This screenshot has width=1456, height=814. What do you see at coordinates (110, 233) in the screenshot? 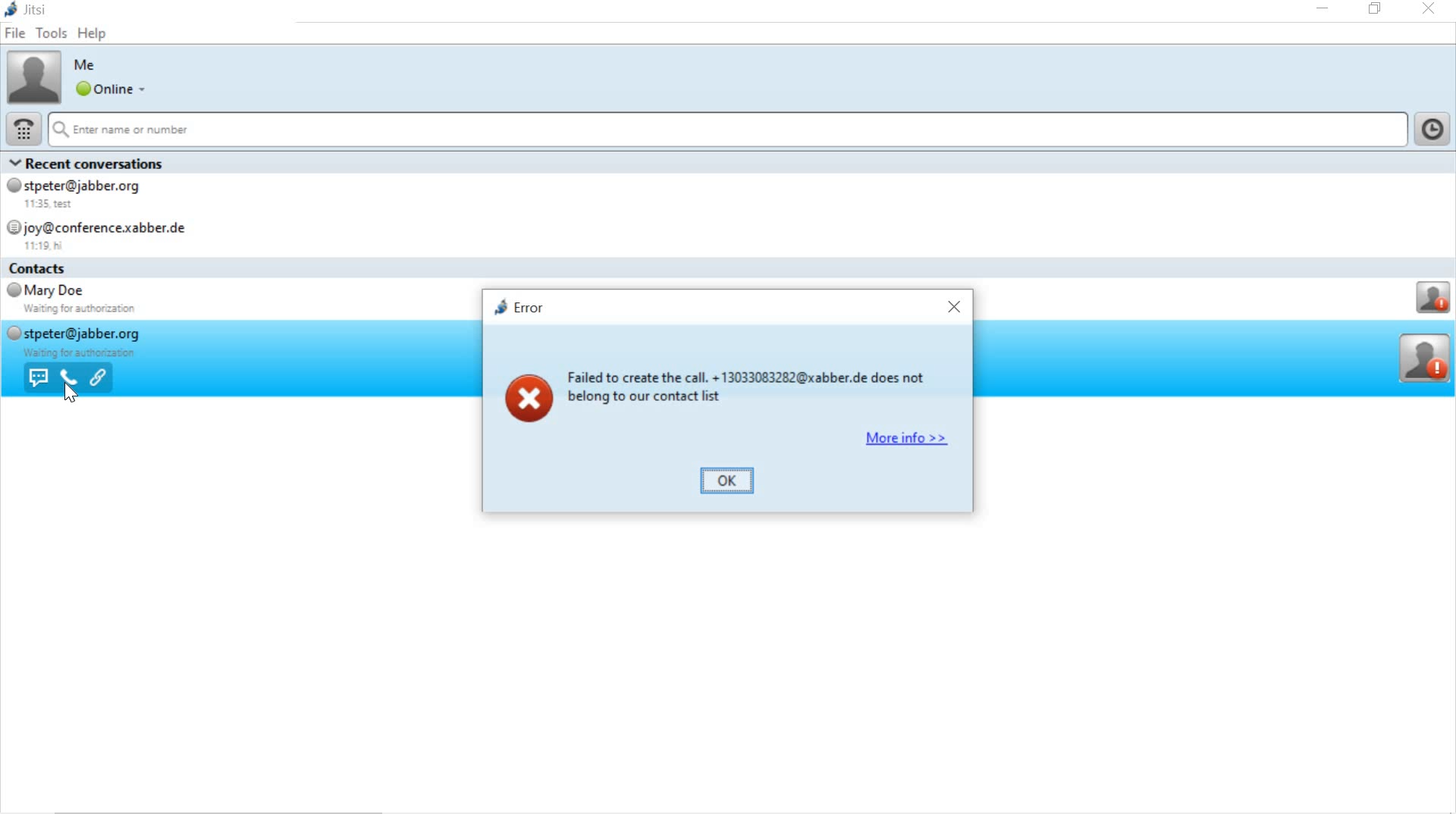
I see ` joy@conferencexabber.de 11:19 K` at bounding box center [110, 233].